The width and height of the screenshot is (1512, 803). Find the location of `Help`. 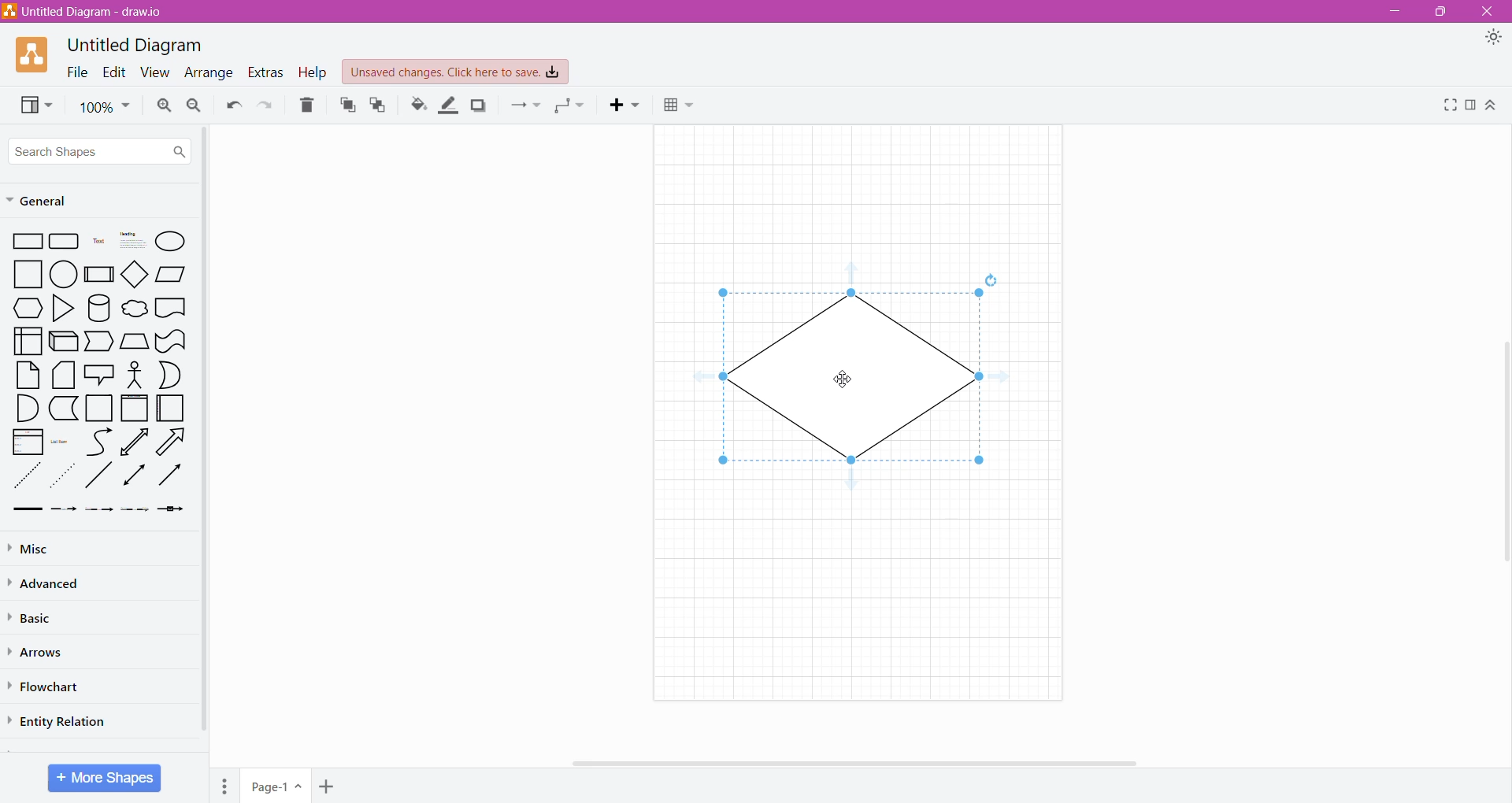

Help is located at coordinates (313, 73).